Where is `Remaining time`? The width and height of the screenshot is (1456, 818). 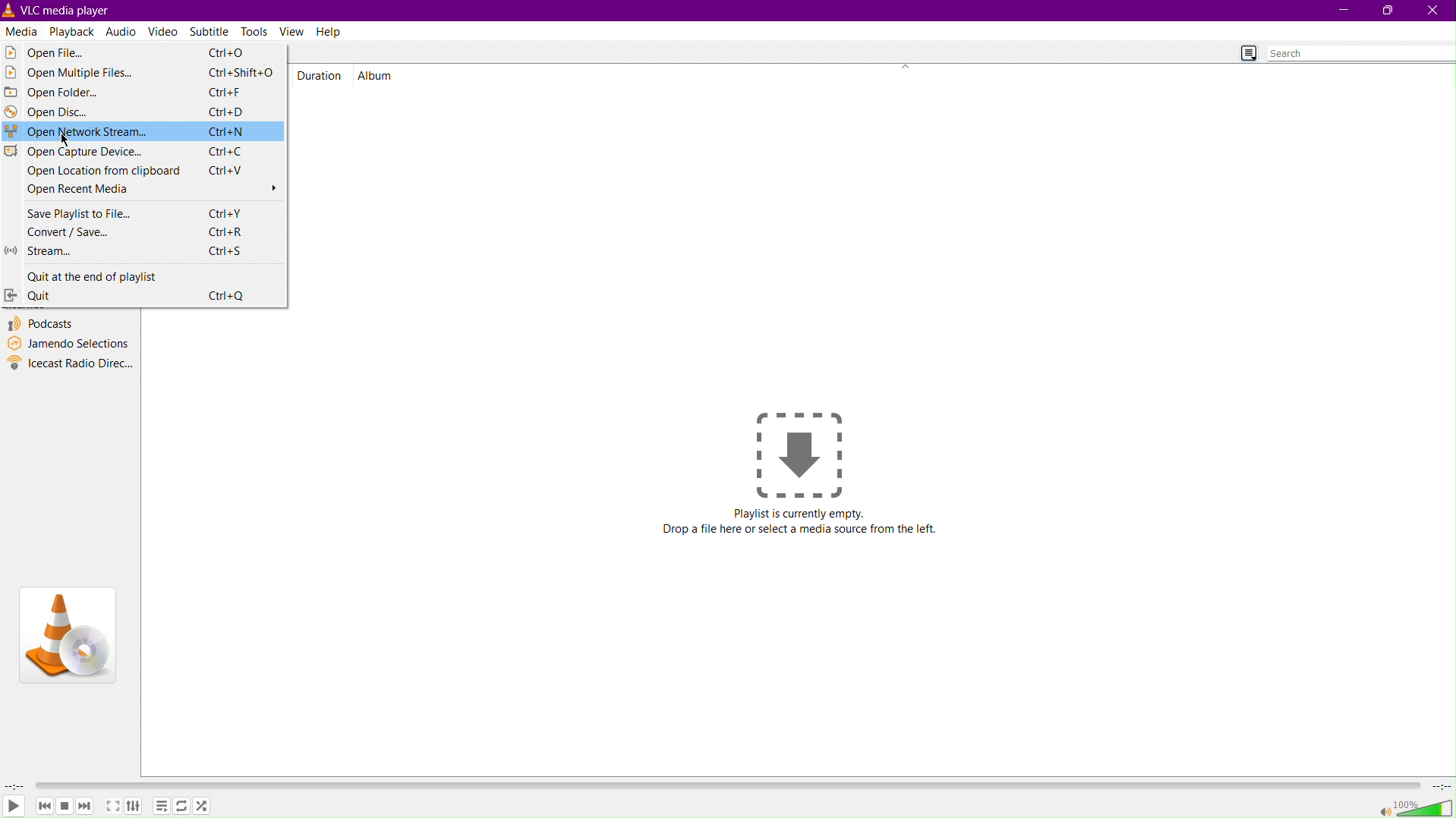 Remaining time is located at coordinates (1439, 786).